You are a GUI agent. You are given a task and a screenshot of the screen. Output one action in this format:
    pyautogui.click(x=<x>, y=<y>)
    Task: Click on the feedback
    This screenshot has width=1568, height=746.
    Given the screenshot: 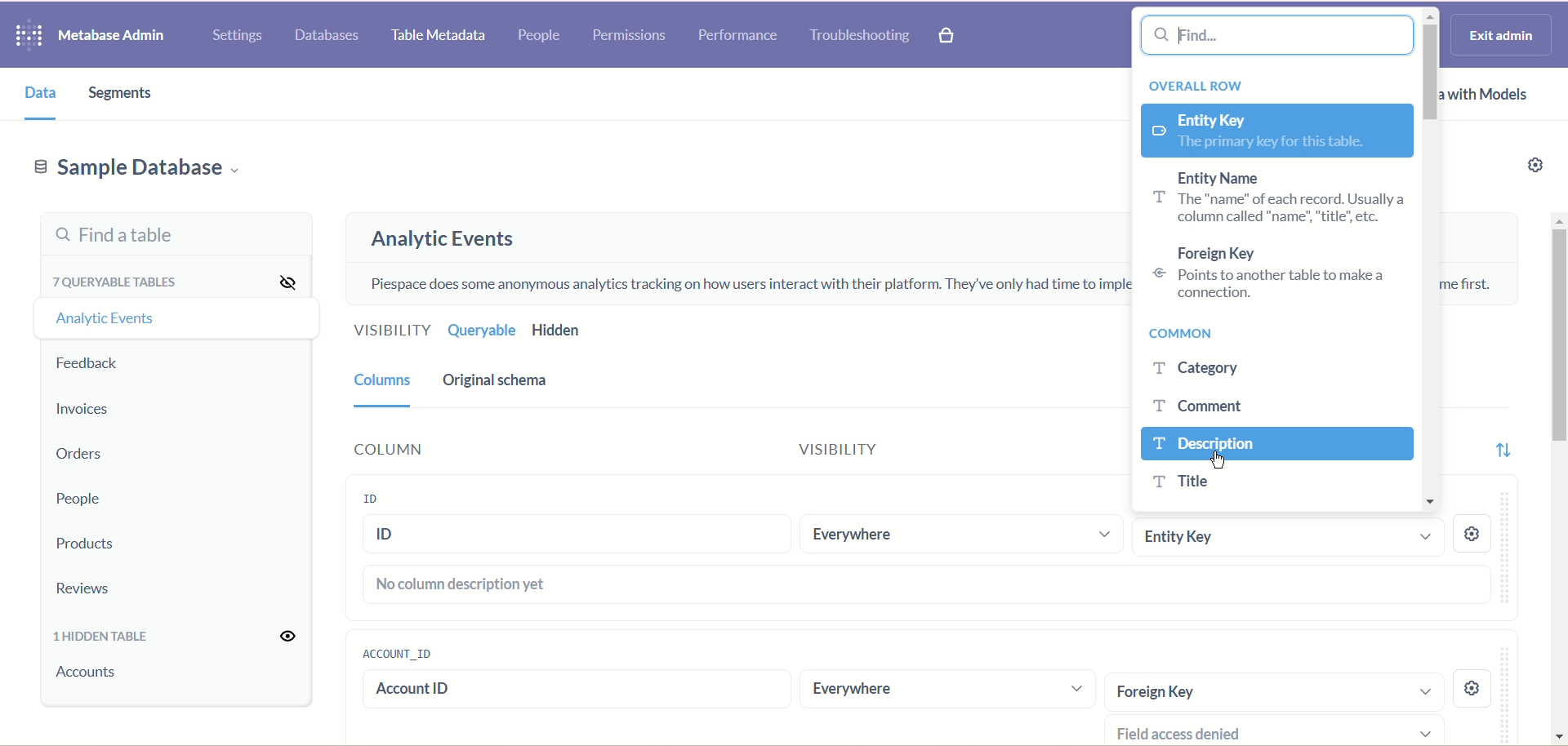 What is the action you would take?
    pyautogui.click(x=91, y=364)
    